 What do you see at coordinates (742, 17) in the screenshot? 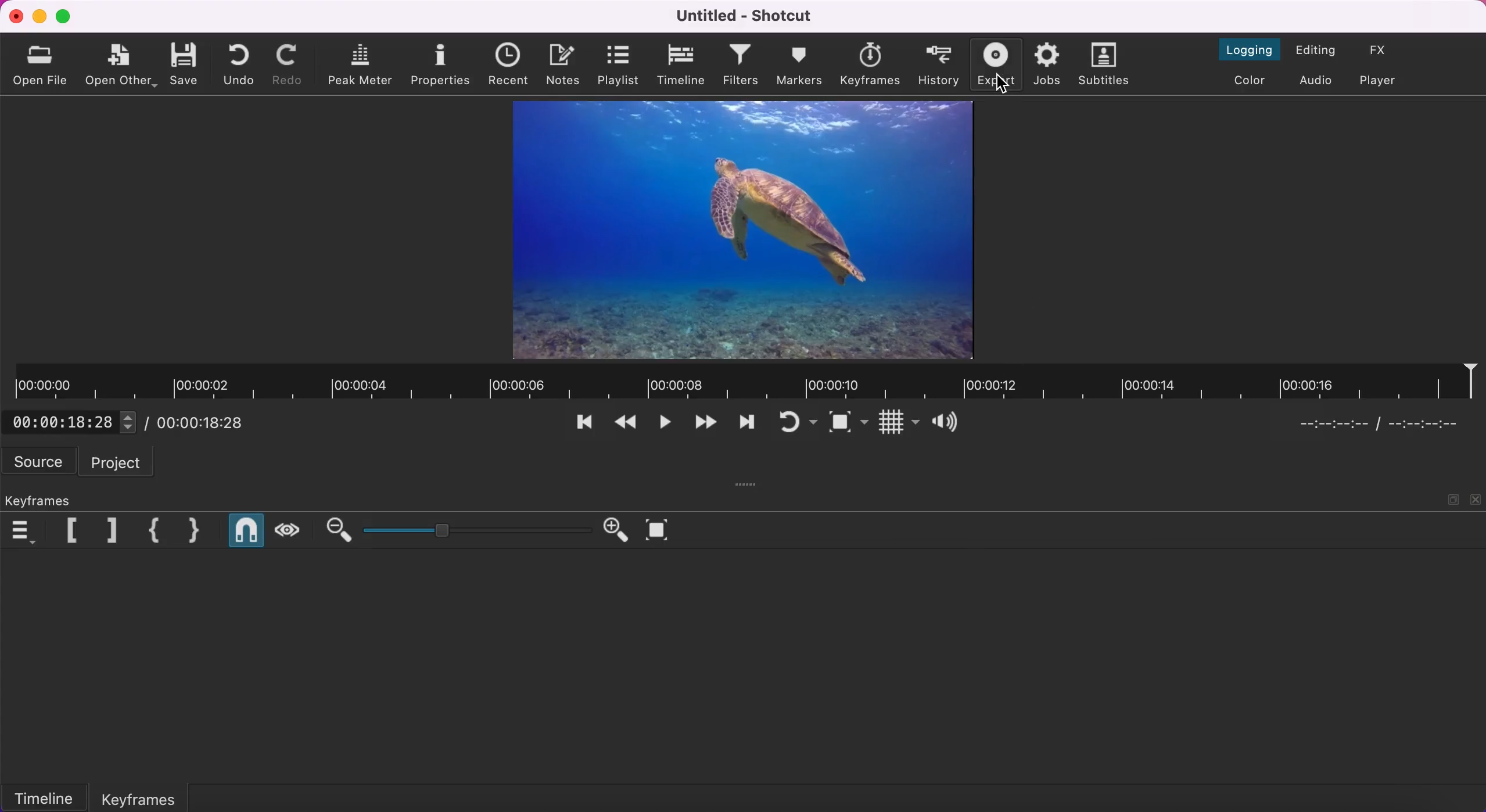
I see `Untitled - Shotcut` at bounding box center [742, 17].